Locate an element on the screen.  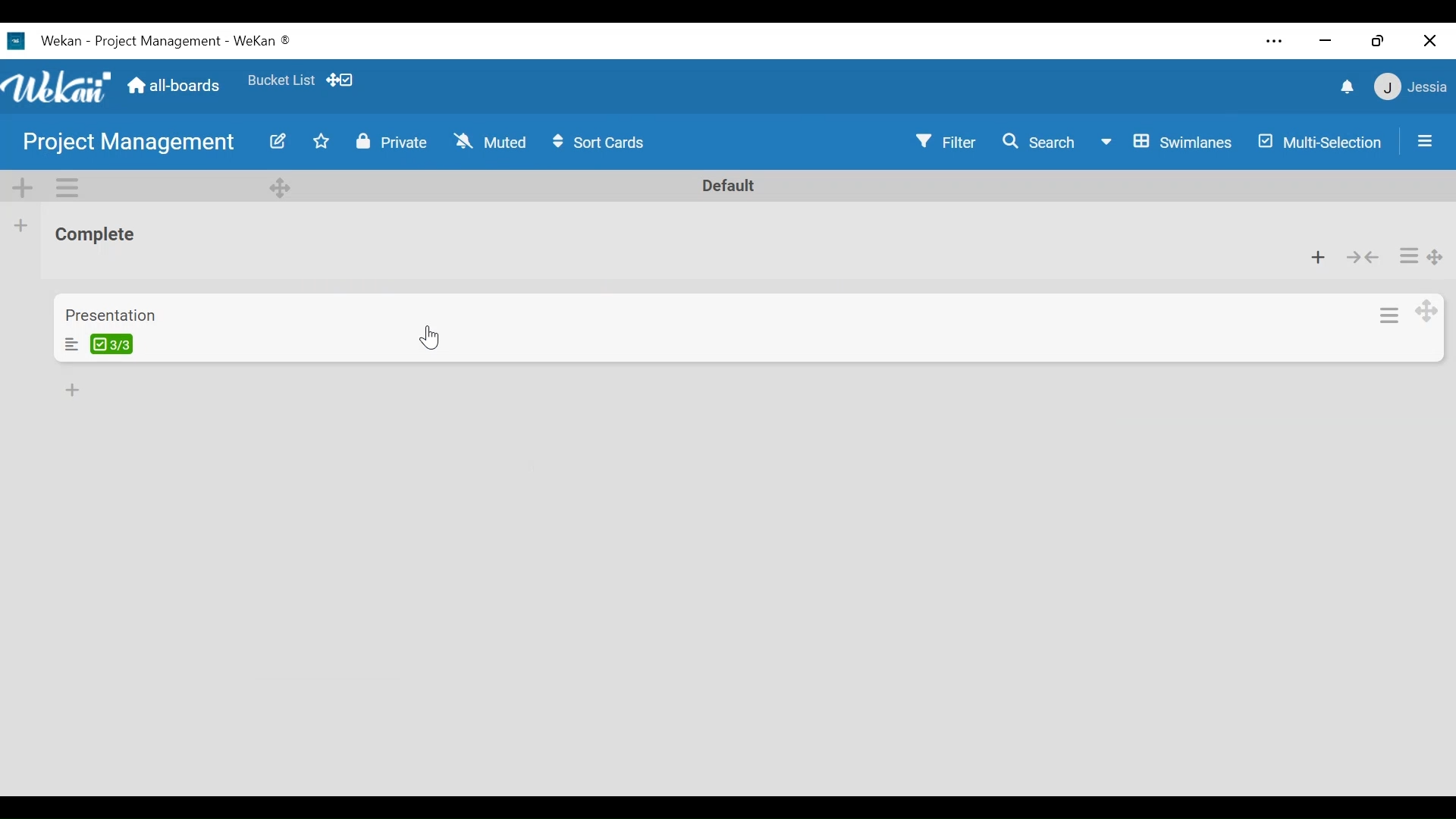
List Title is located at coordinates (95, 236).